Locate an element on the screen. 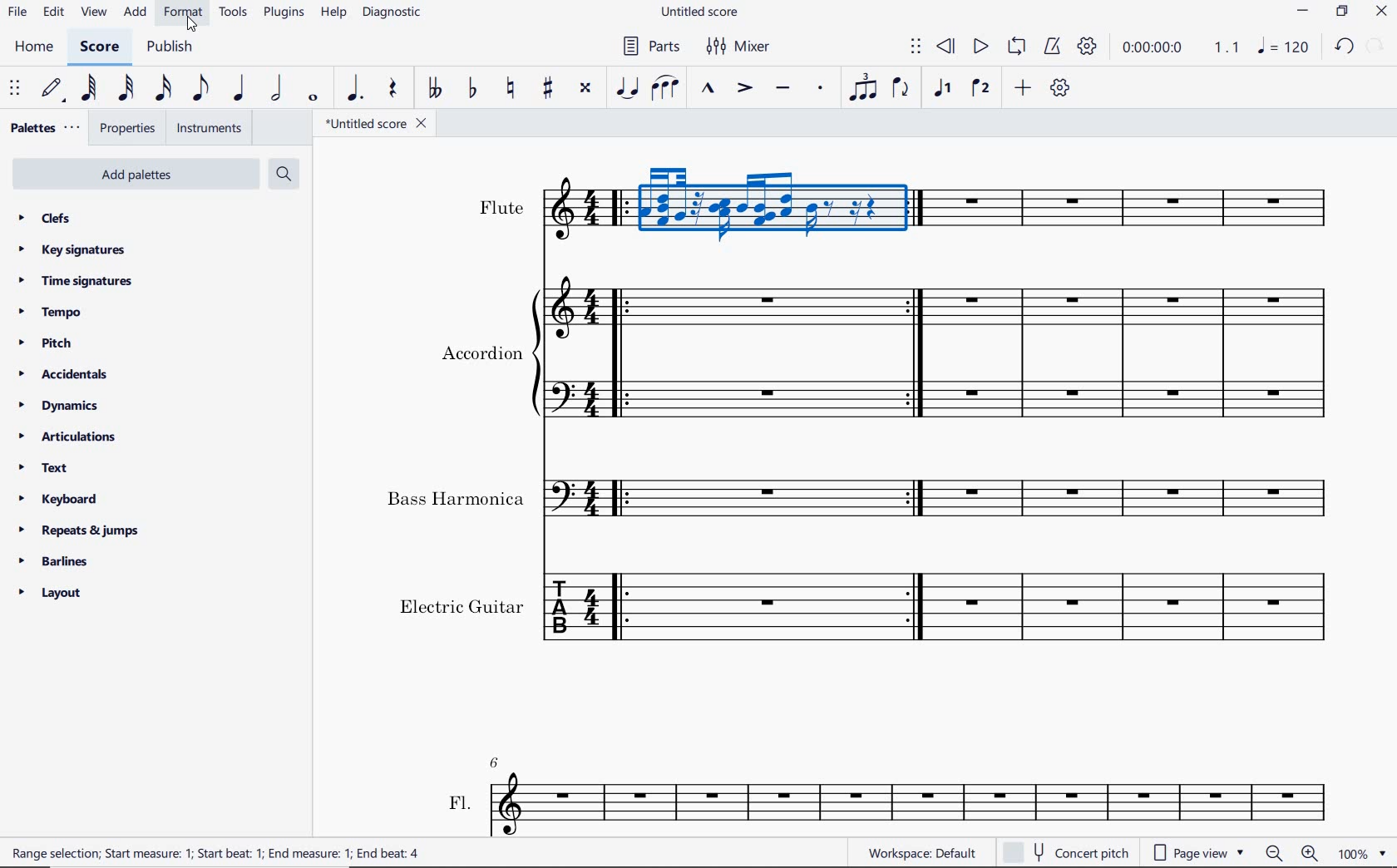 Image resolution: width=1397 pixels, height=868 pixels. time signatures is located at coordinates (77, 284).